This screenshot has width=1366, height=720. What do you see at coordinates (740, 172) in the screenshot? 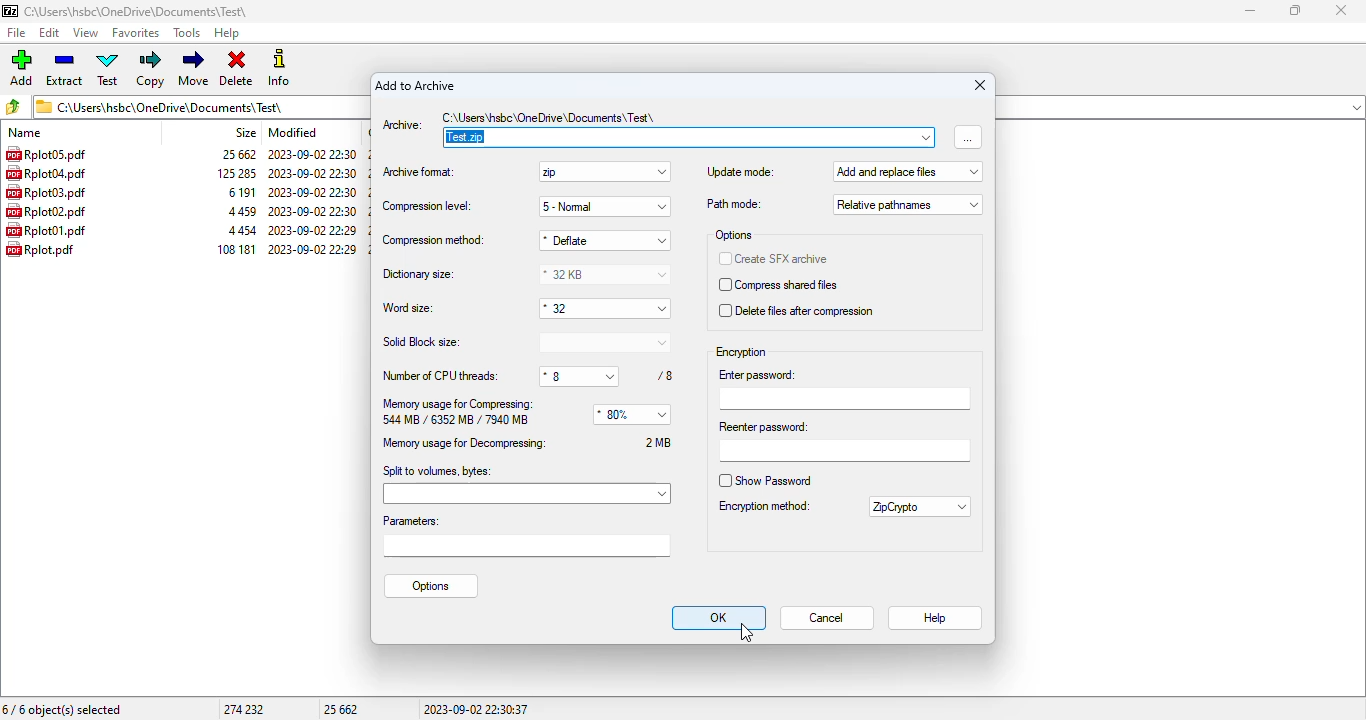
I see `update mode` at bounding box center [740, 172].